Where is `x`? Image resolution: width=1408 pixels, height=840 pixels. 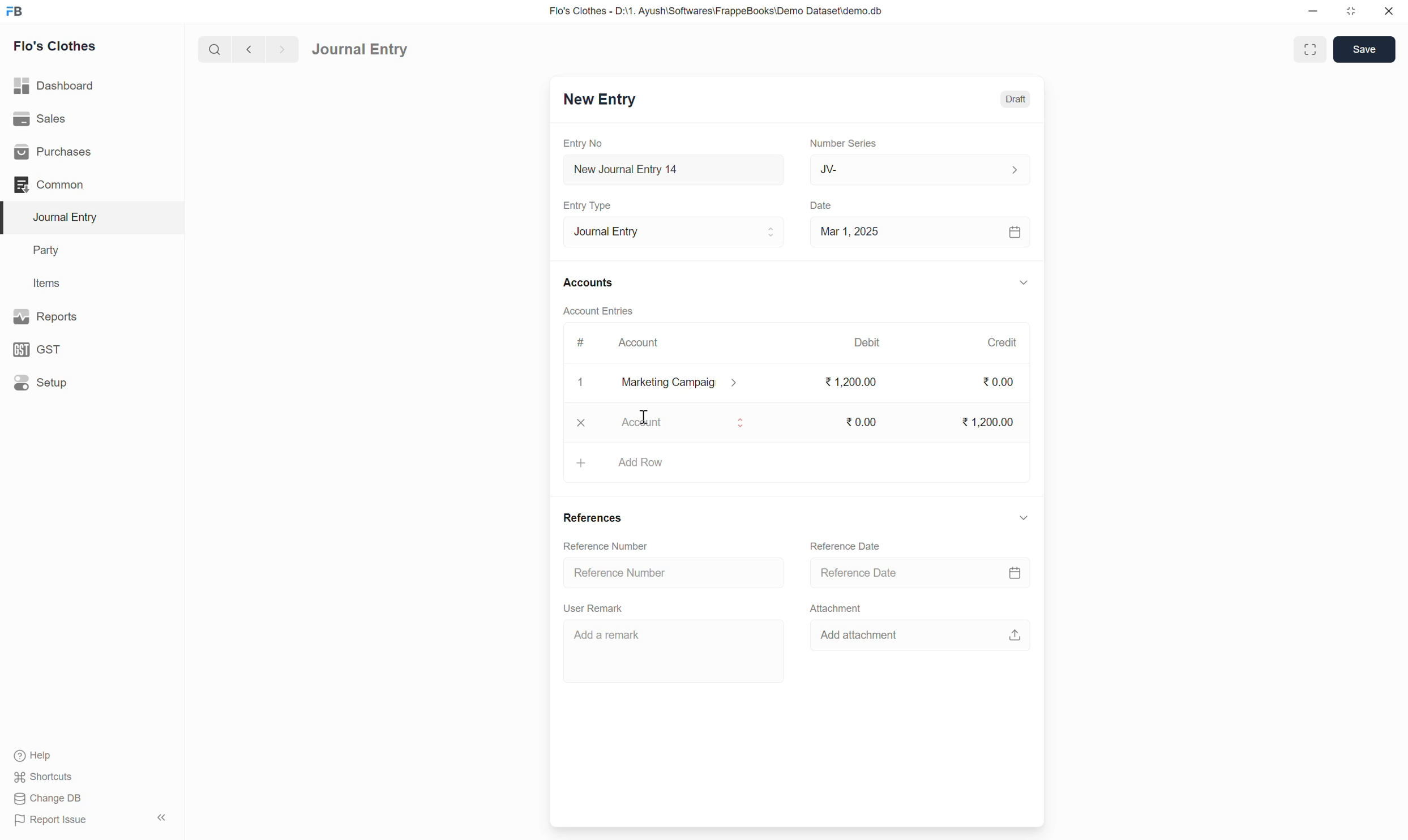 x is located at coordinates (582, 422).